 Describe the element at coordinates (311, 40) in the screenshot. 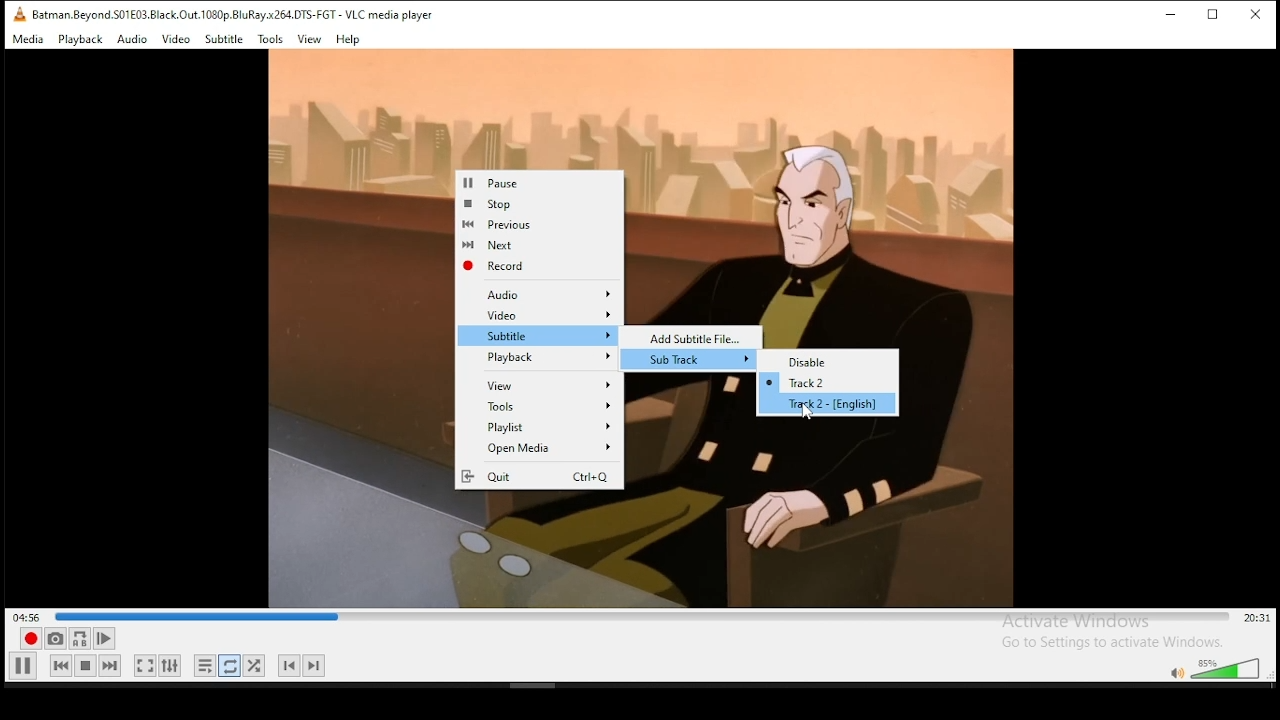

I see `View` at that location.